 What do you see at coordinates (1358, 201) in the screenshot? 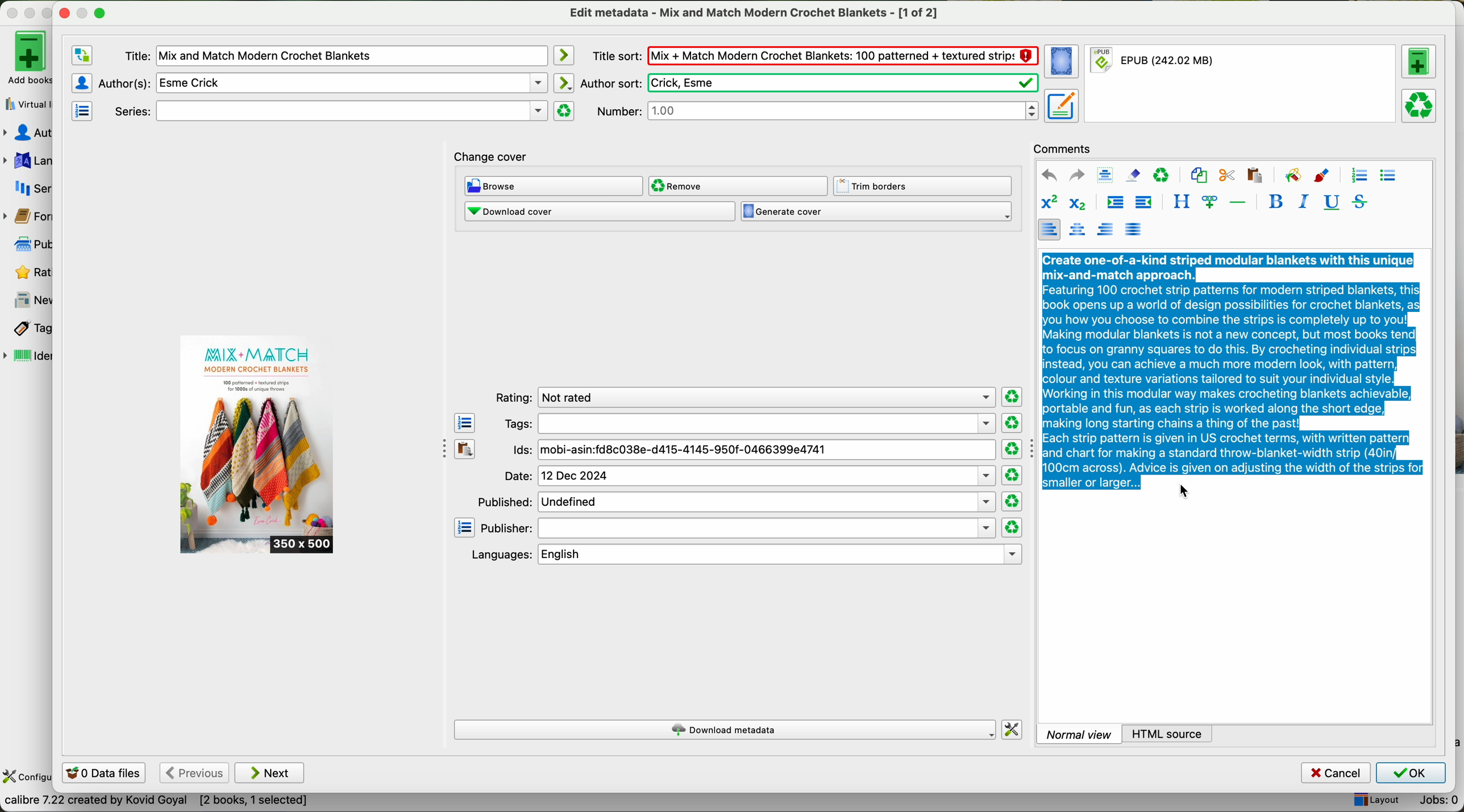
I see `strikeout` at bounding box center [1358, 201].